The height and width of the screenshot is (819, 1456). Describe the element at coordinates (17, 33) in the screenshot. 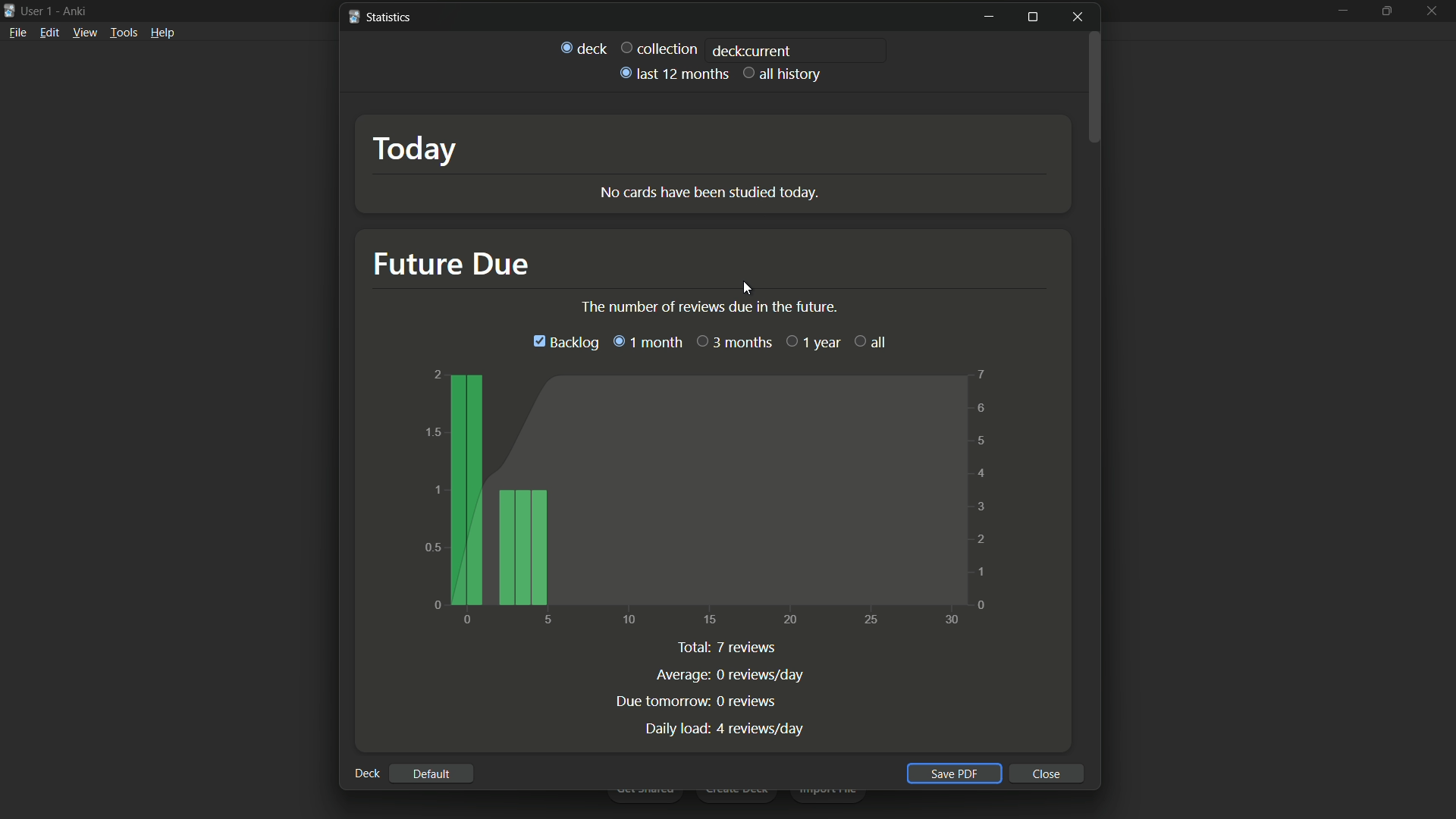

I see `file menu` at that location.